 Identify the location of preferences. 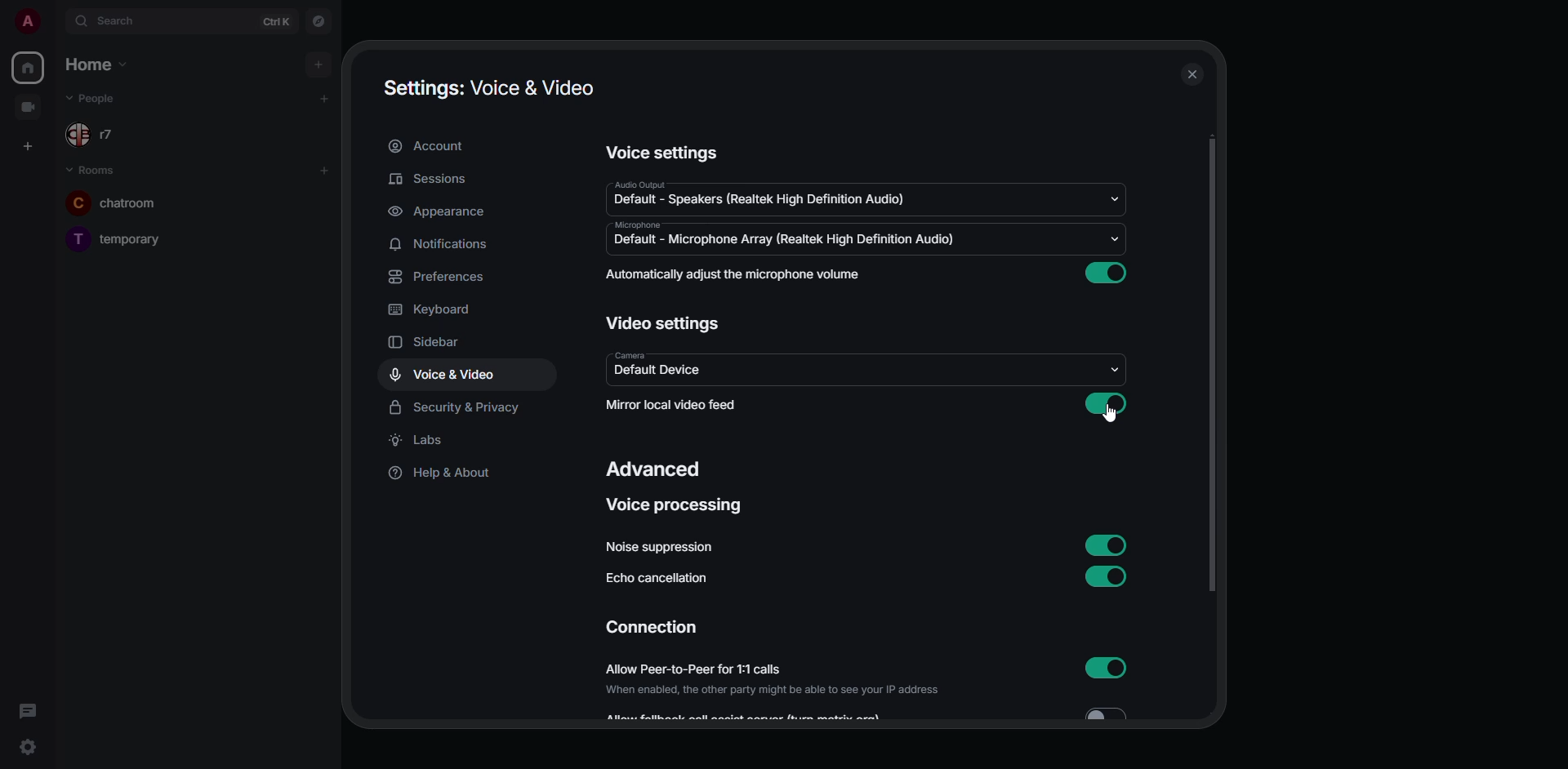
(437, 279).